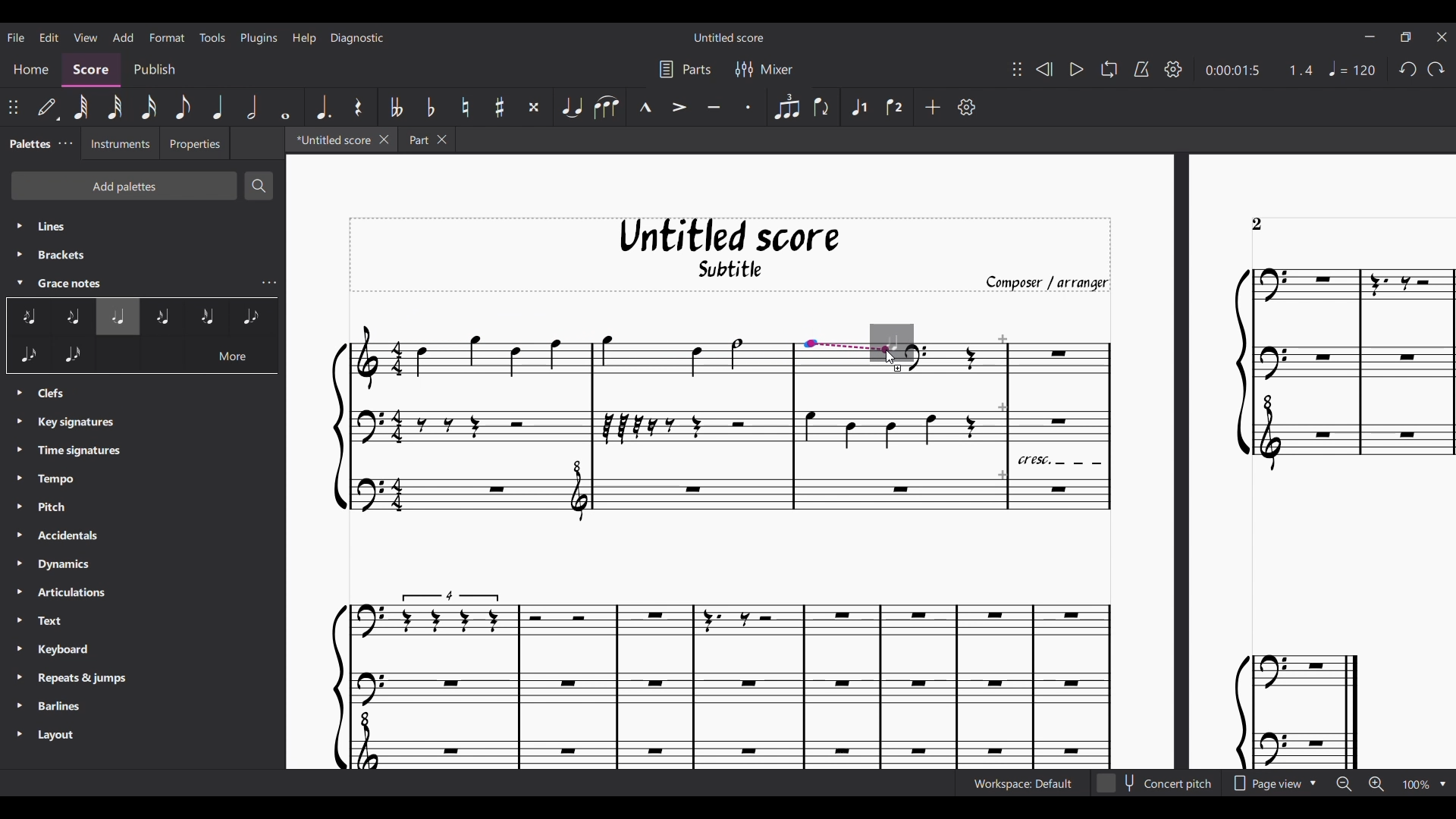 This screenshot has height=819, width=1456. Describe the element at coordinates (331, 140) in the screenshot. I see `Current tab` at that location.